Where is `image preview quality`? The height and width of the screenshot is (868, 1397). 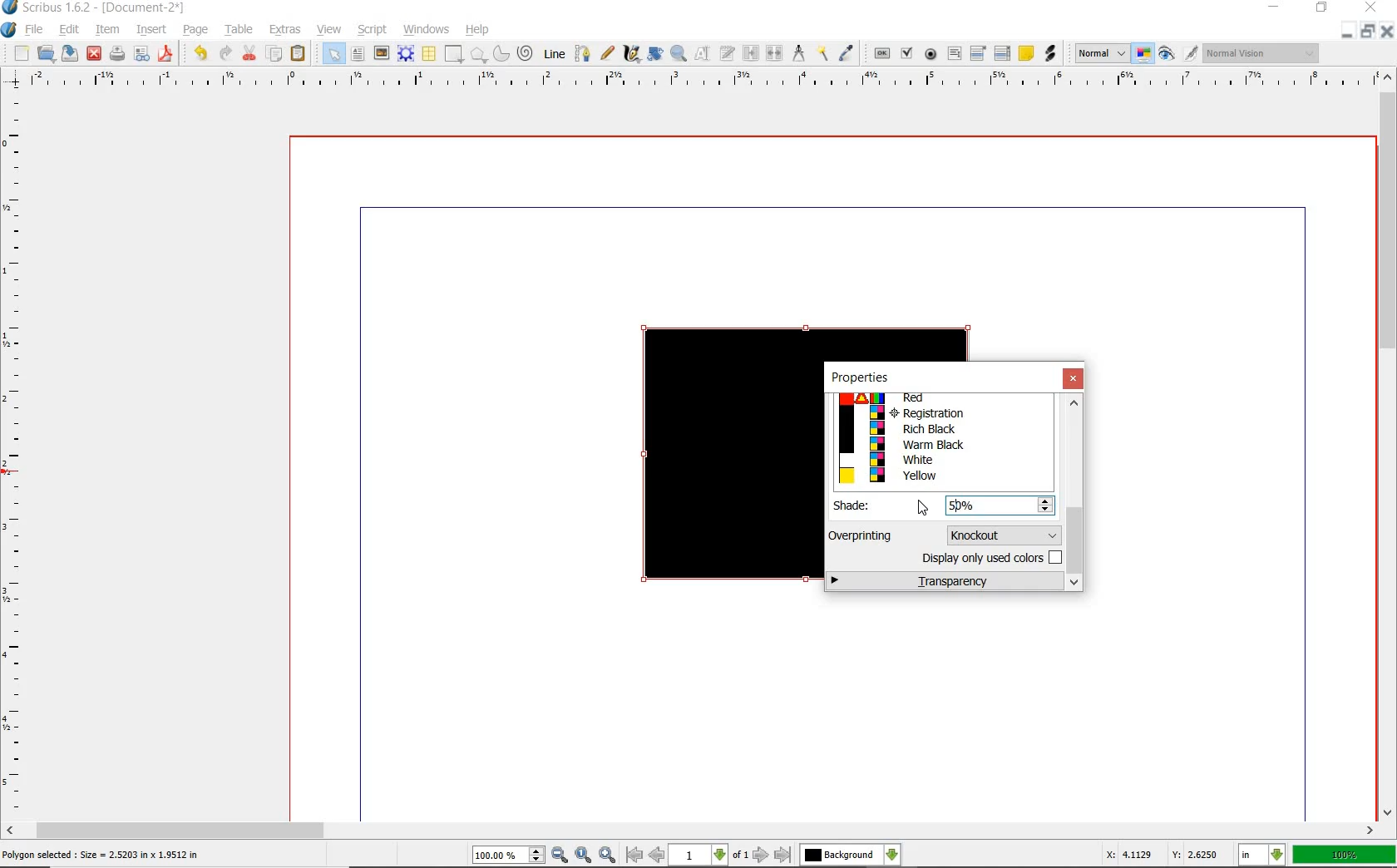
image preview quality is located at coordinates (1101, 54).